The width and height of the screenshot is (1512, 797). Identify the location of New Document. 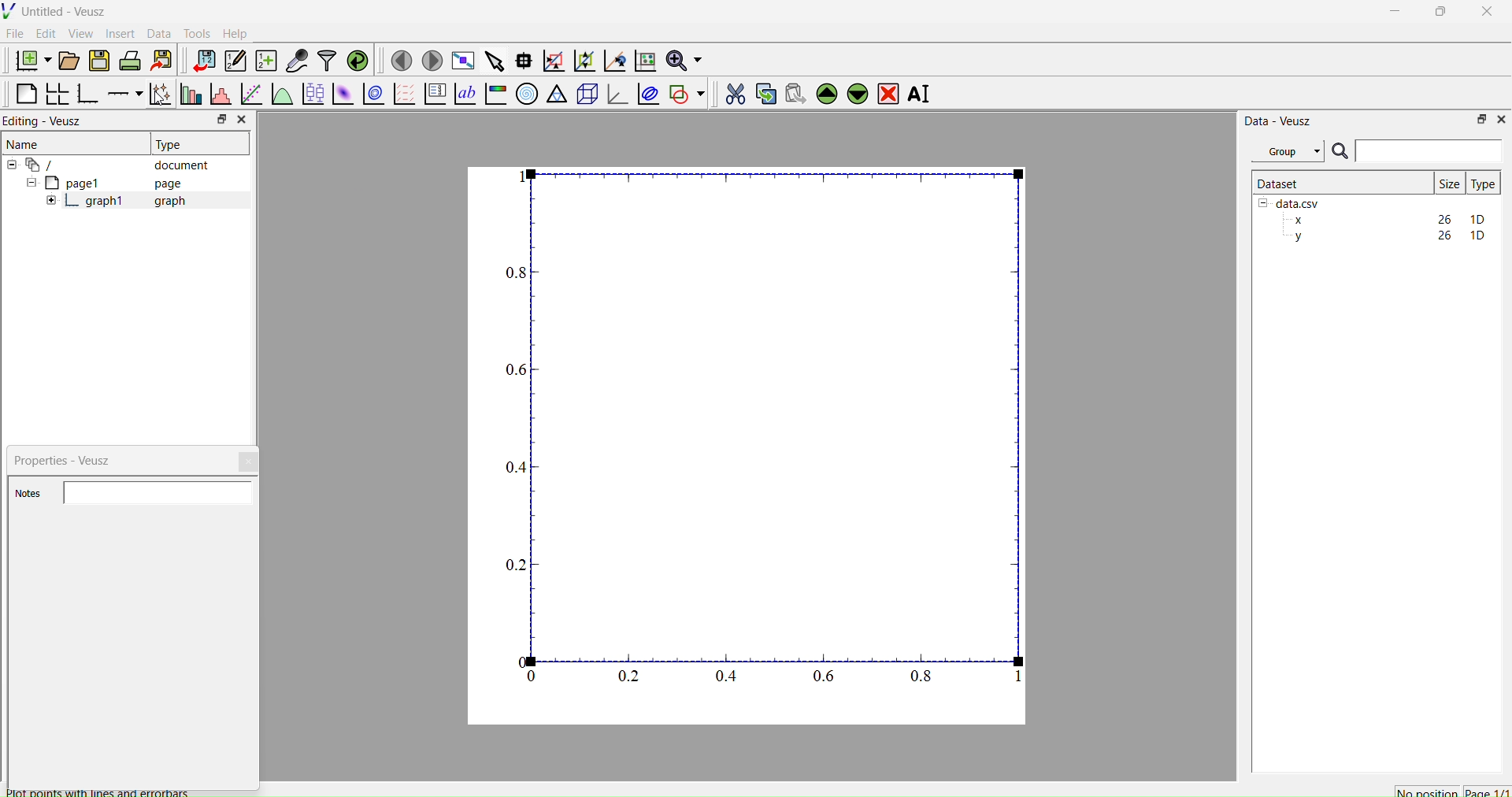
(29, 58).